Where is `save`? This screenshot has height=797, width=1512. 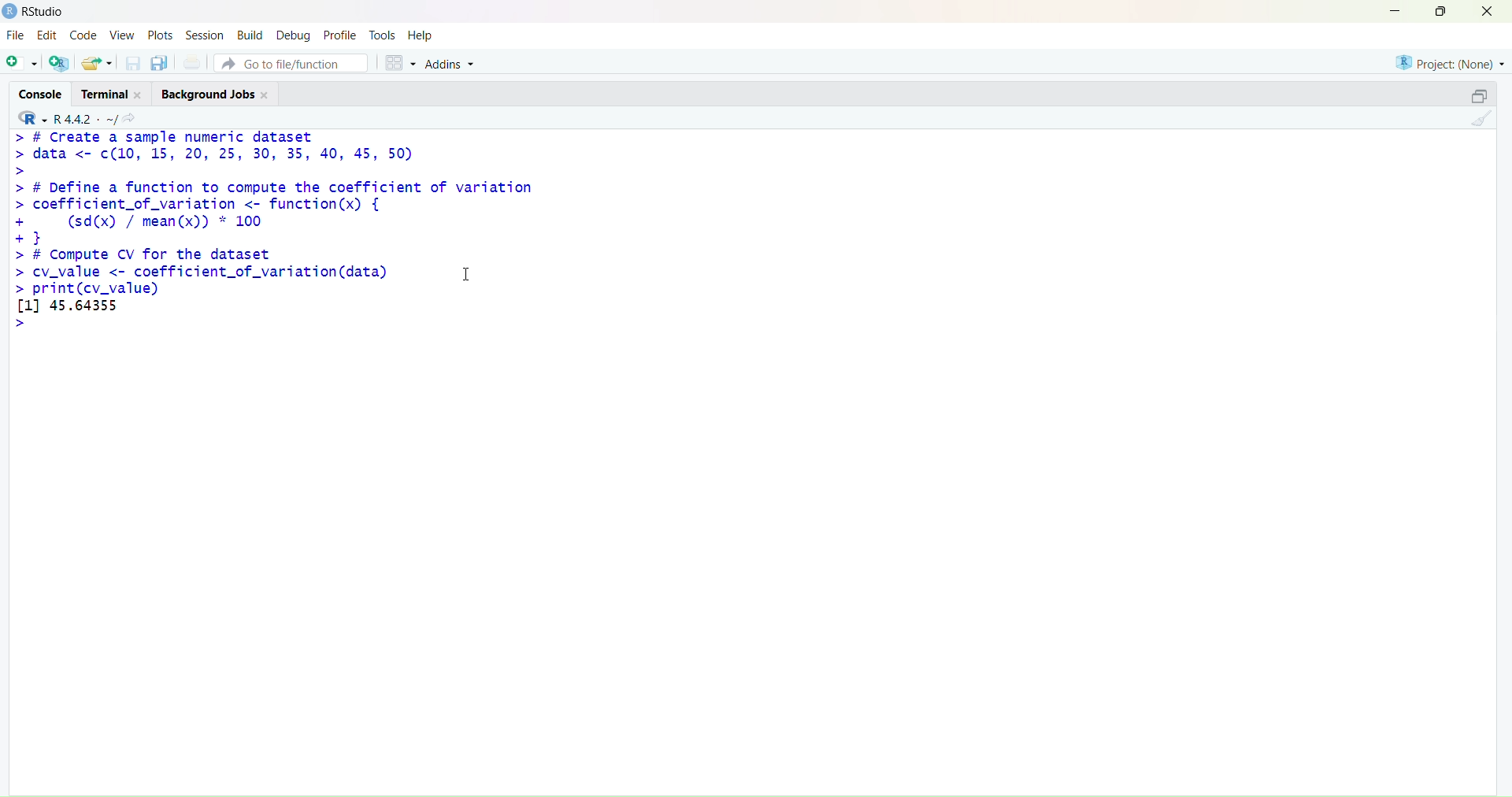 save is located at coordinates (134, 63).